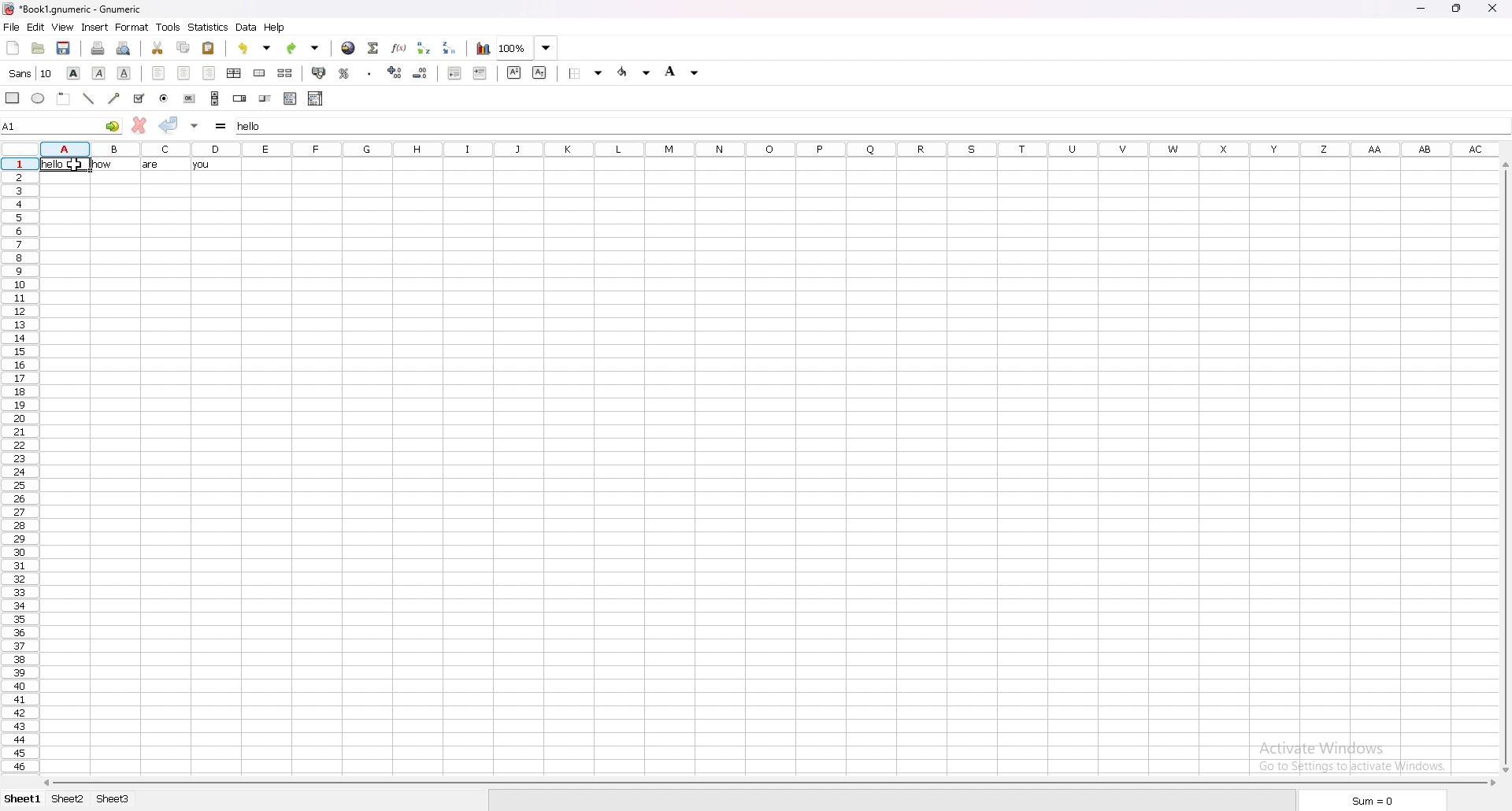 Image resolution: width=1512 pixels, height=811 pixels. I want to click on increase decimal, so click(396, 72).